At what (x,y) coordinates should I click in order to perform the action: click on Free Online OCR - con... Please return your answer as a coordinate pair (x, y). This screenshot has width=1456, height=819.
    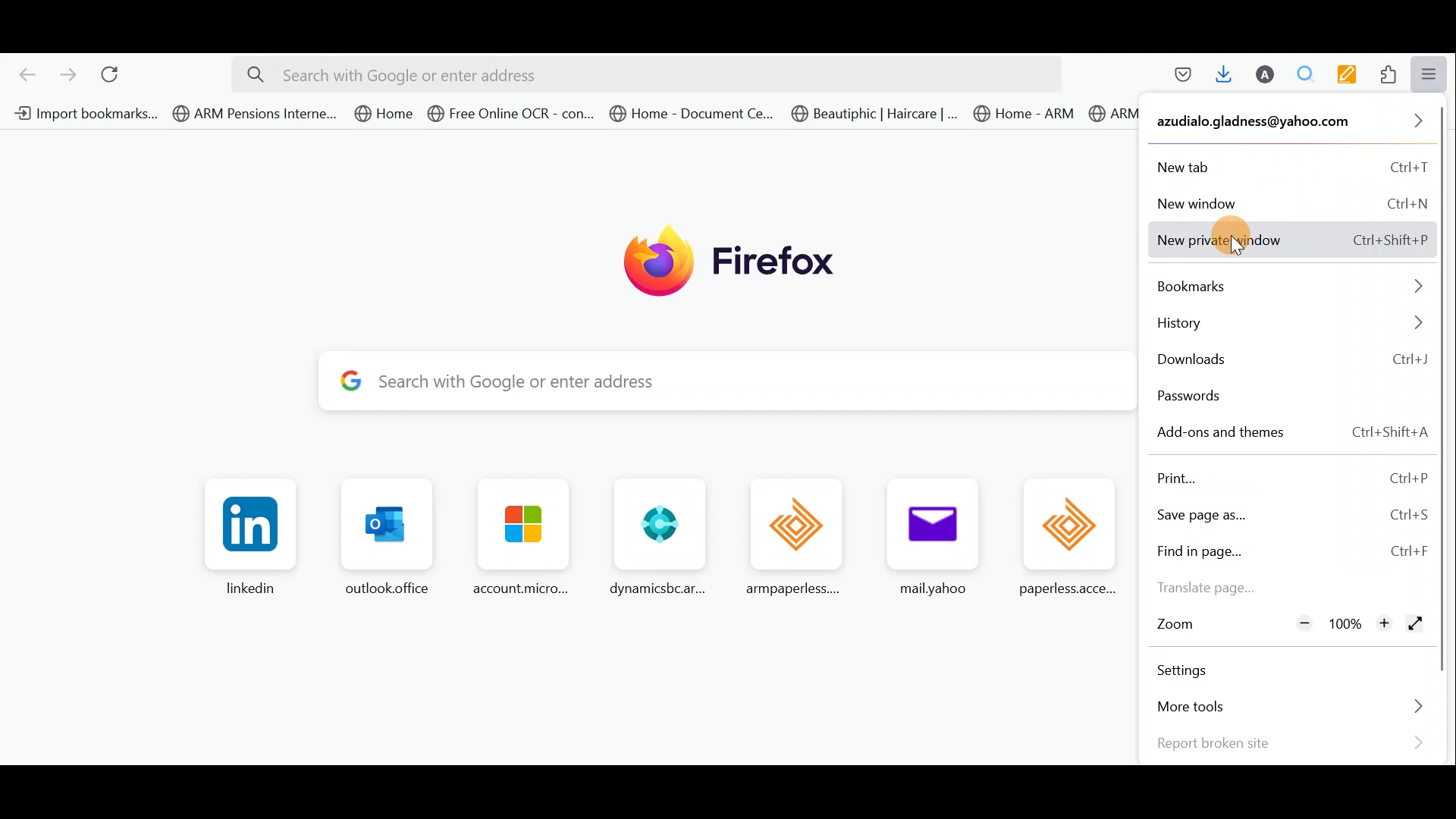
    Looking at the image, I should click on (510, 113).